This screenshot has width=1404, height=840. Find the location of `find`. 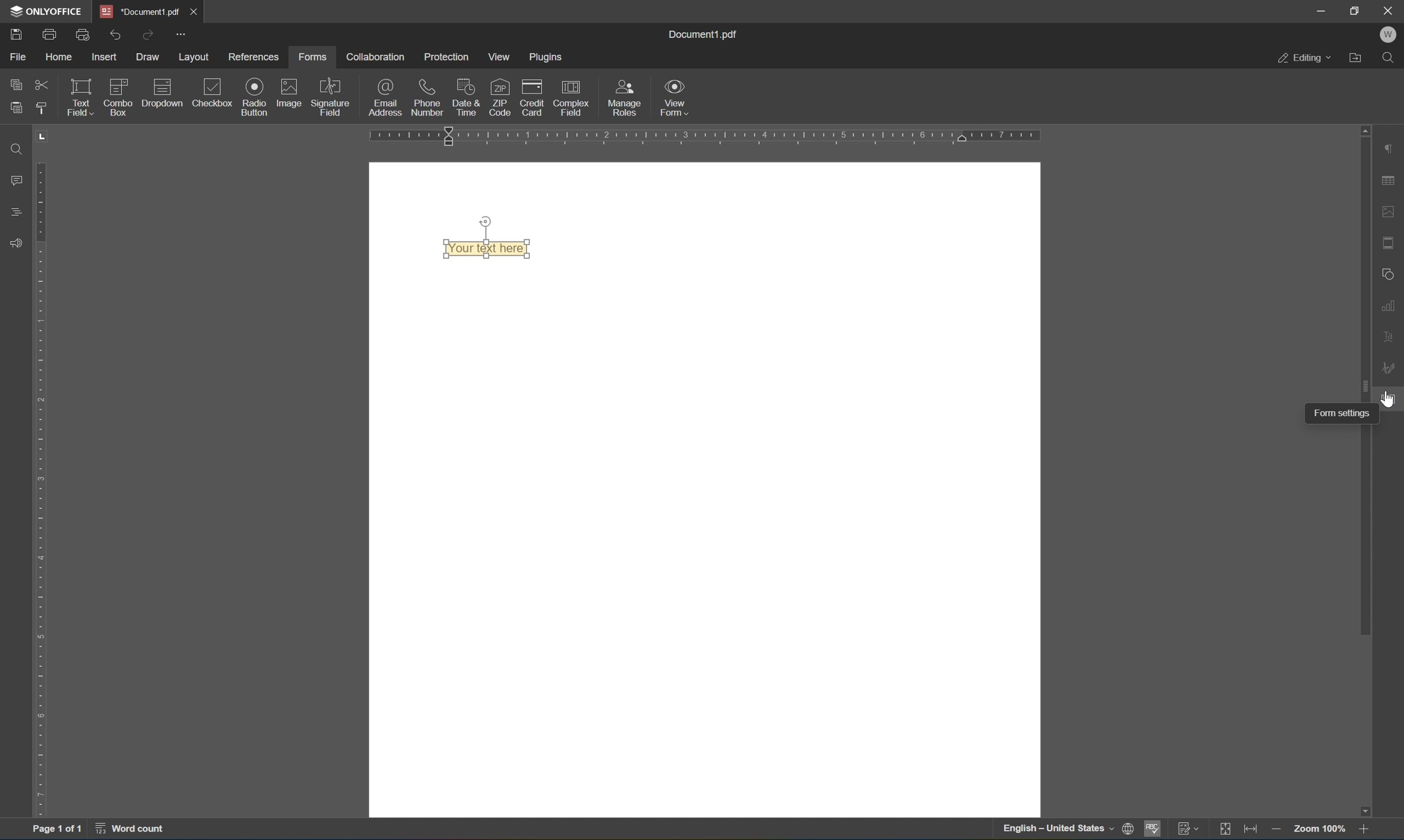

find is located at coordinates (16, 148).